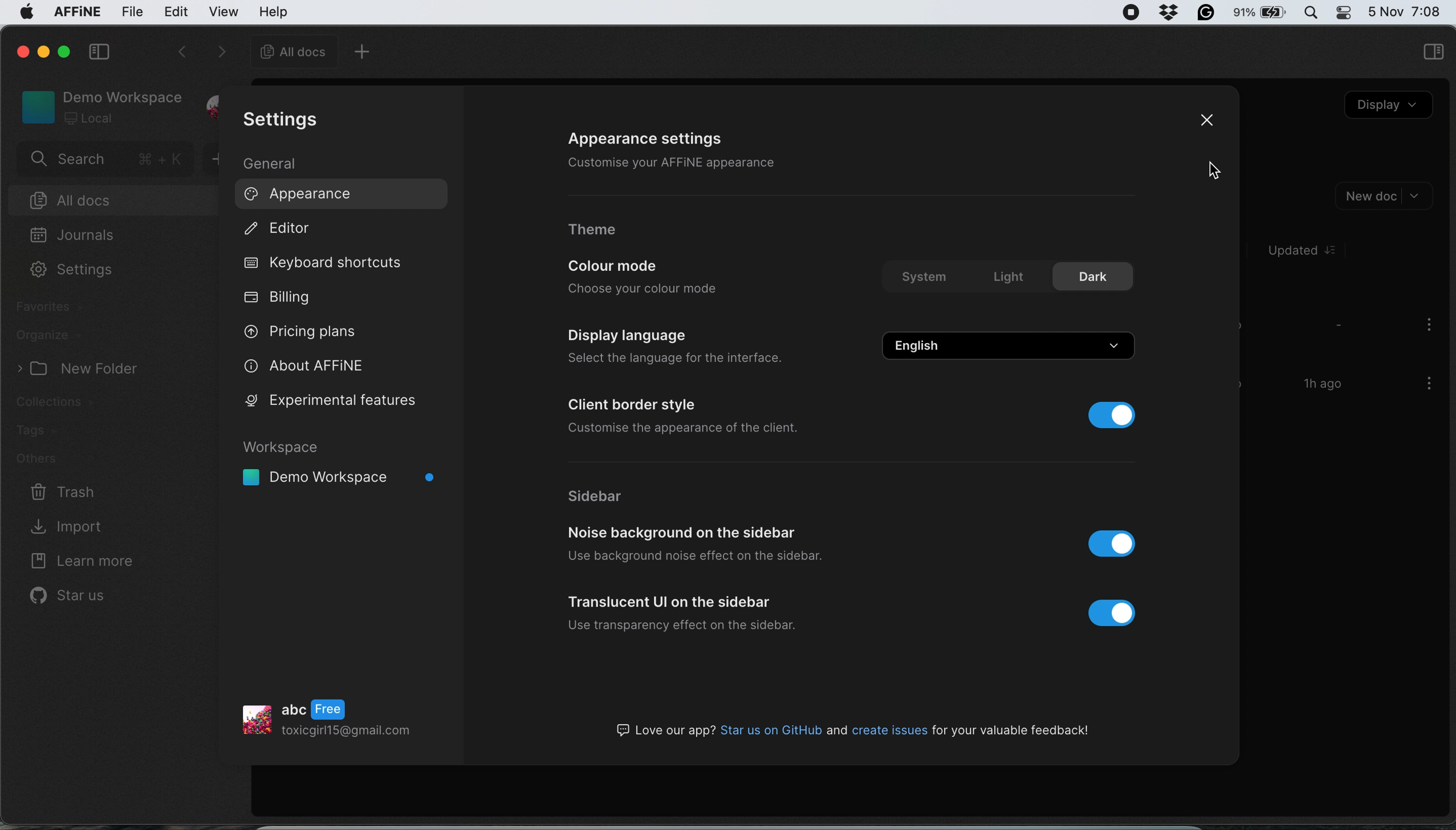  What do you see at coordinates (1408, 11) in the screenshot?
I see `date and time` at bounding box center [1408, 11].